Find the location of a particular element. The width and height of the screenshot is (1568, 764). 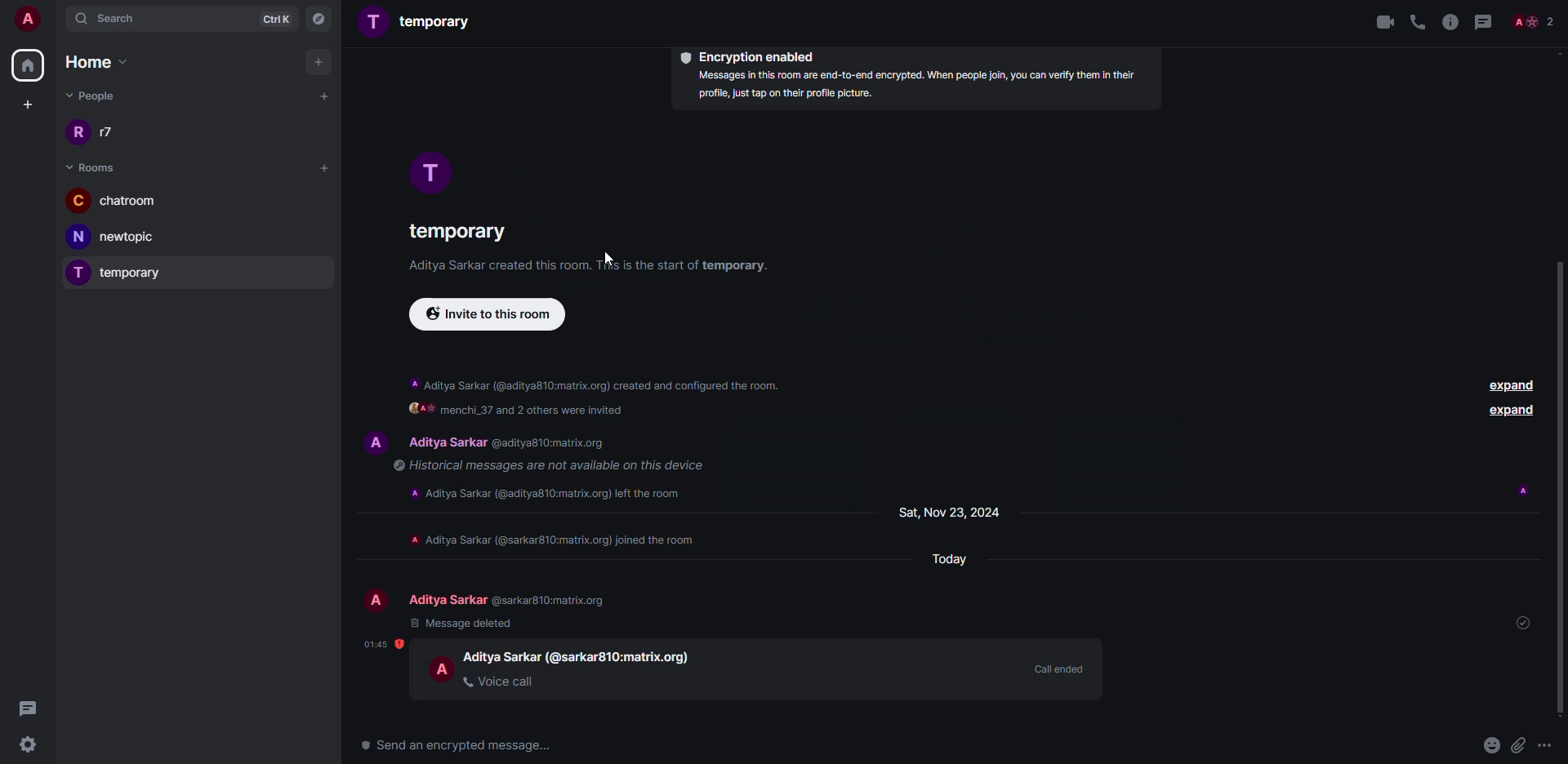

call ended is located at coordinates (1058, 668).